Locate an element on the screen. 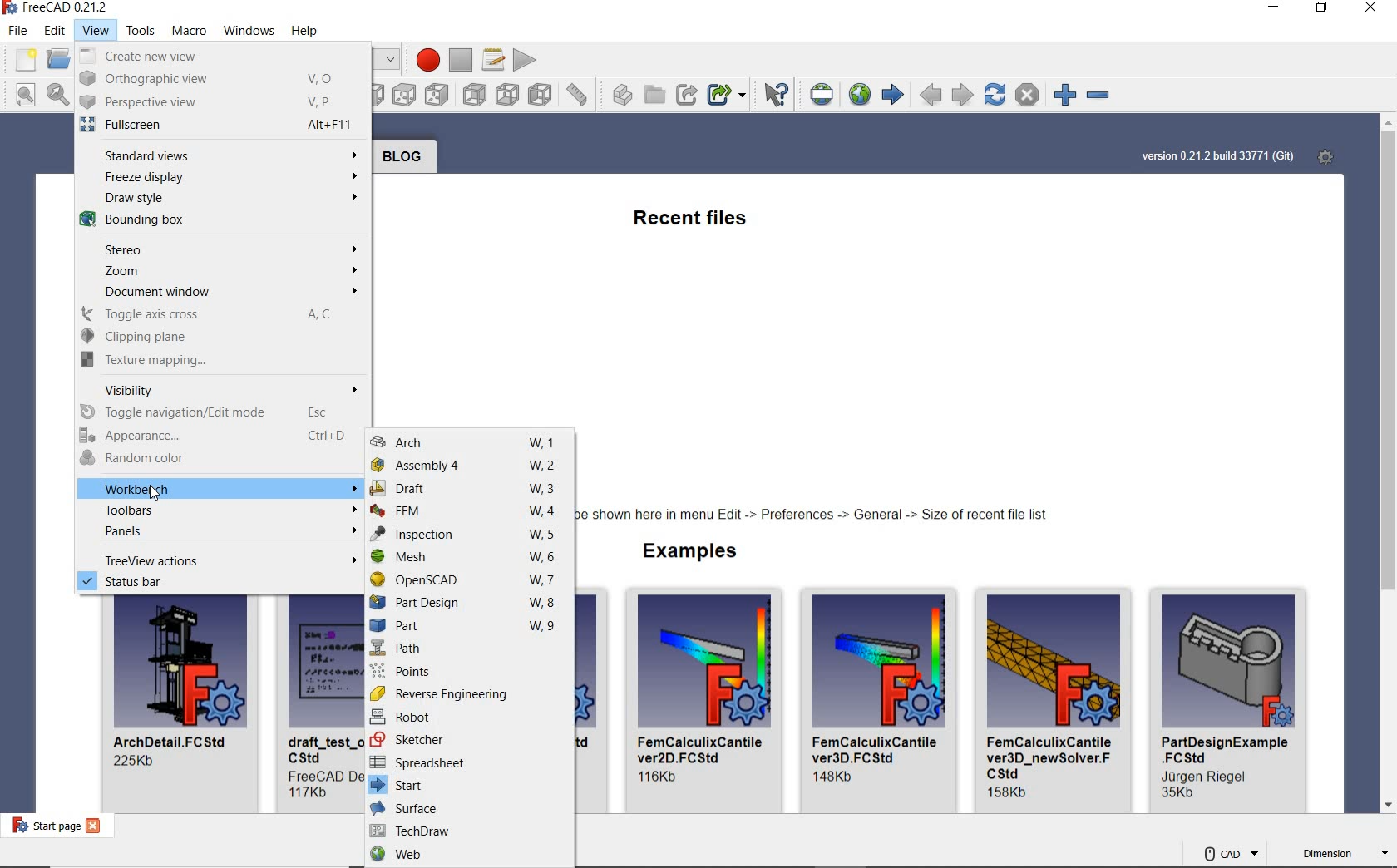 This screenshot has height=868, width=1397. help is located at coordinates (305, 32).